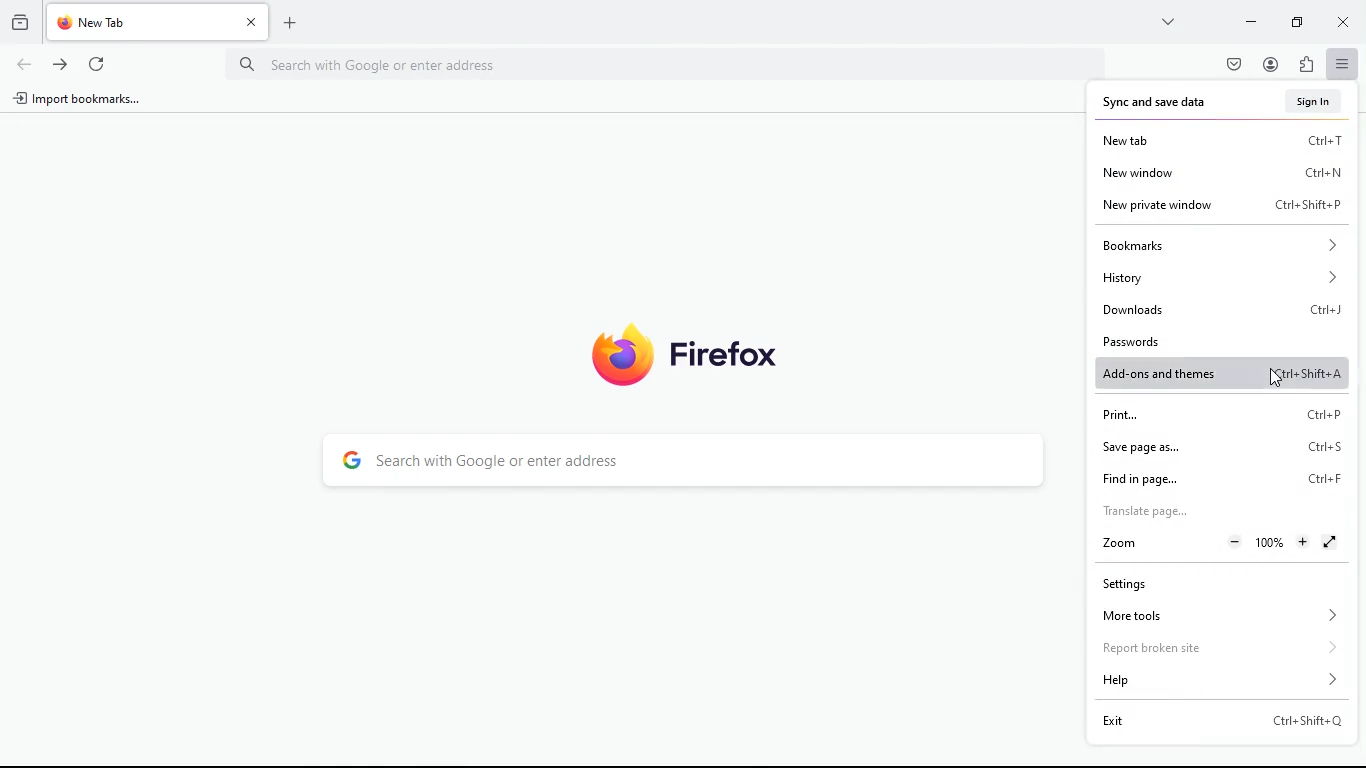  Describe the element at coordinates (79, 100) in the screenshot. I see `import bookmarks` at that location.